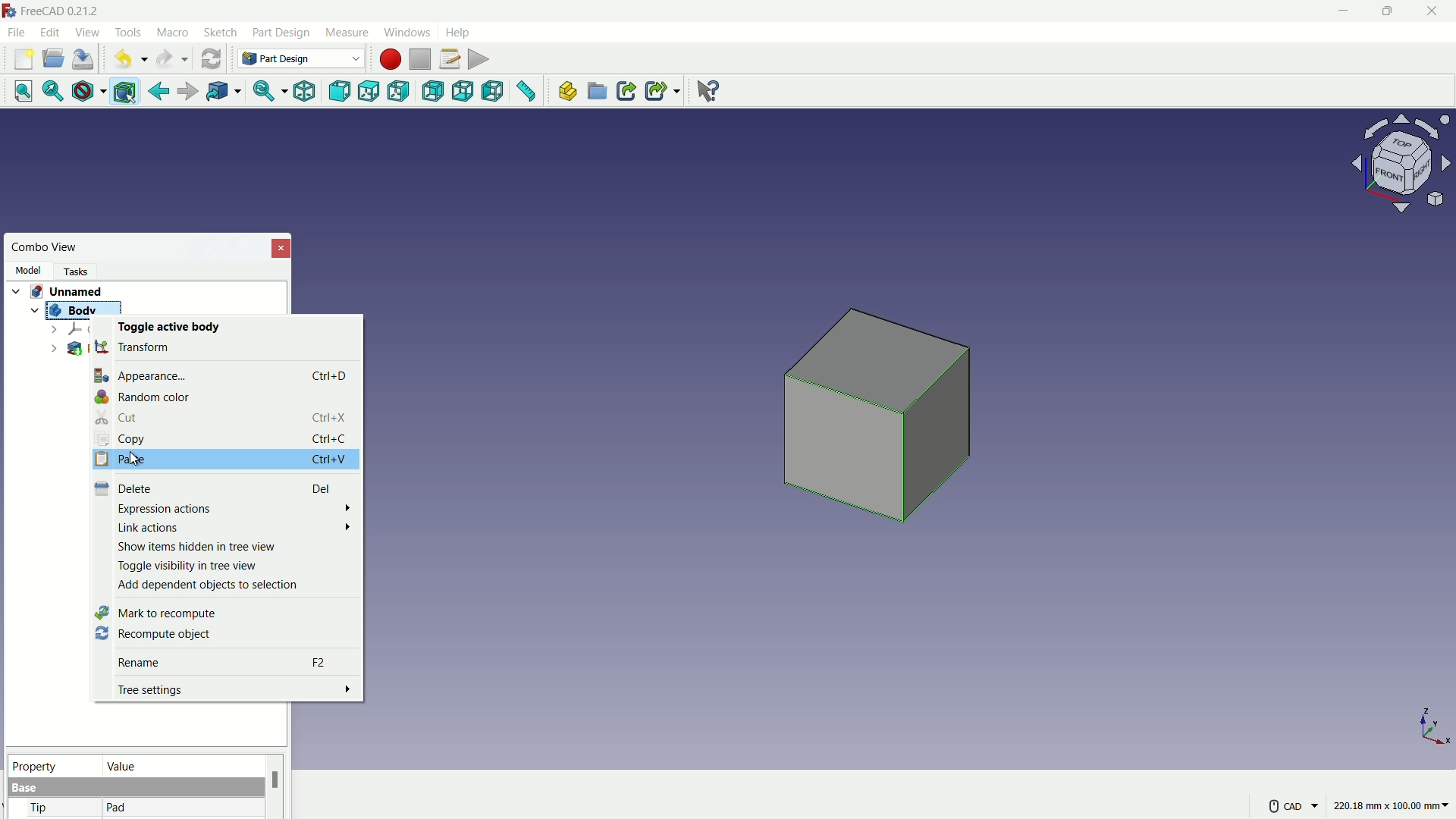 The width and height of the screenshot is (1456, 819). I want to click on left view, so click(494, 93).